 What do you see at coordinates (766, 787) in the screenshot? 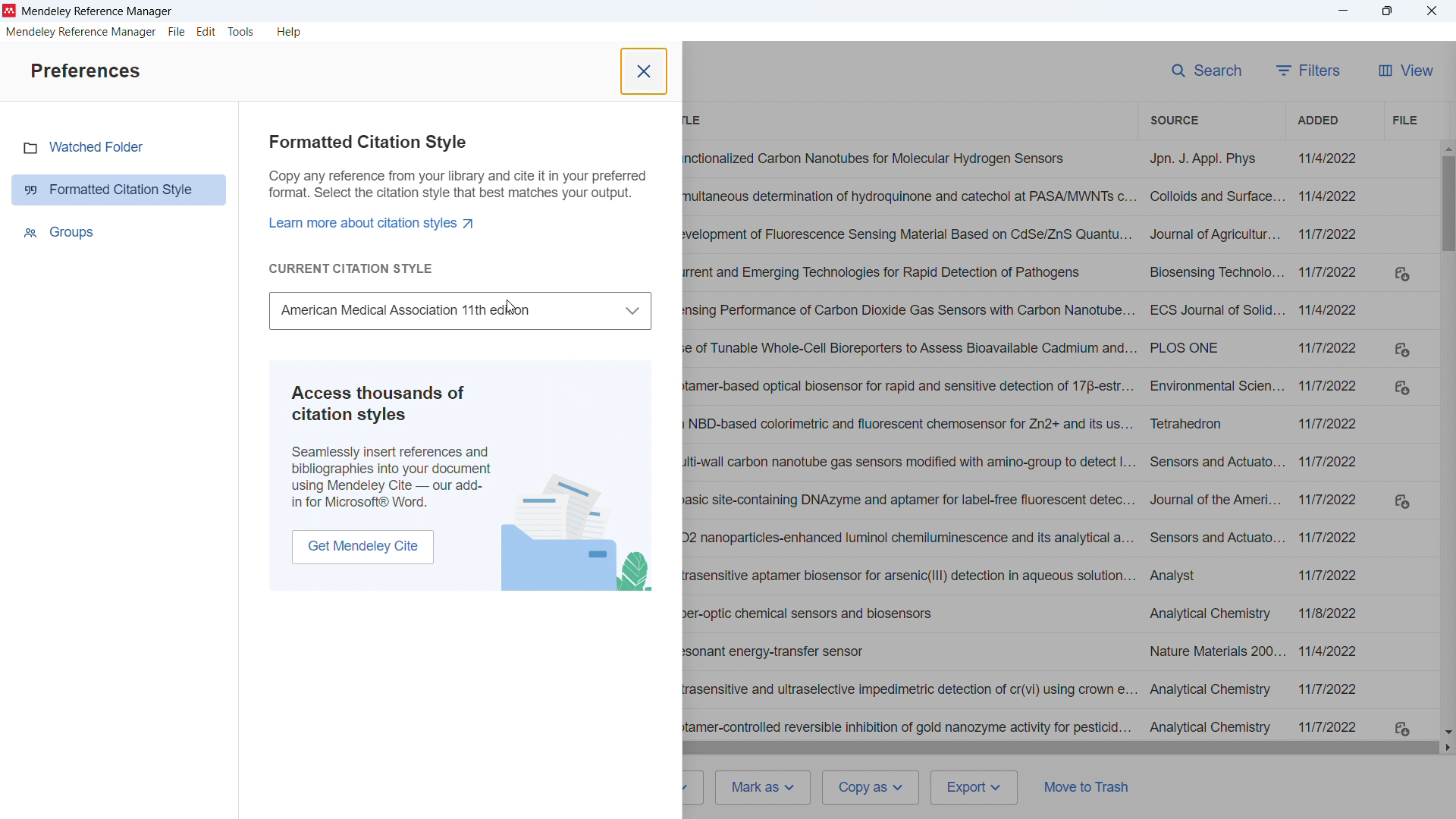
I see `Mark as ` at bounding box center [766, 787].